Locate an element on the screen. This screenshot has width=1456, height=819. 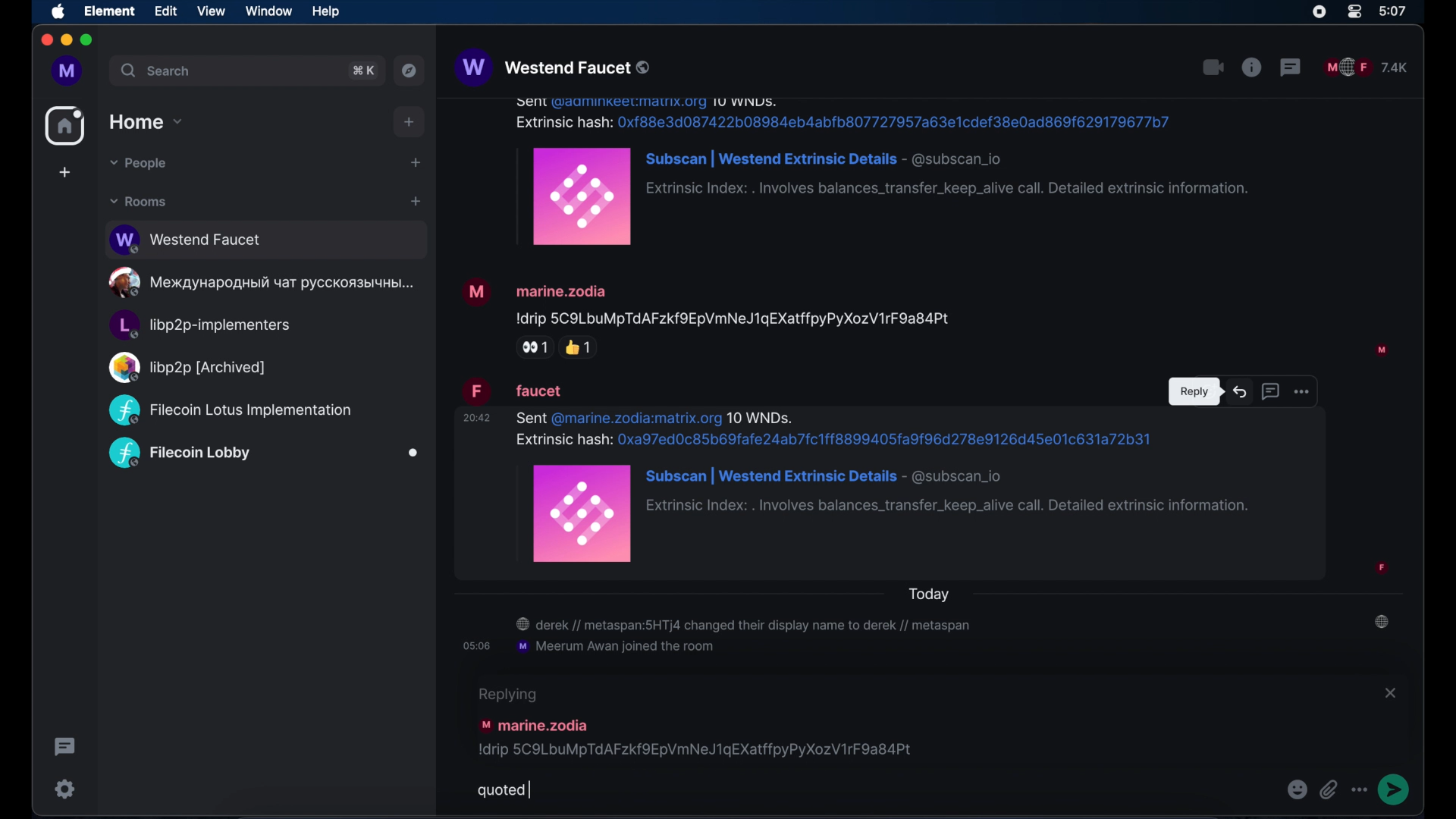
message is located at coordinates (692, 726).